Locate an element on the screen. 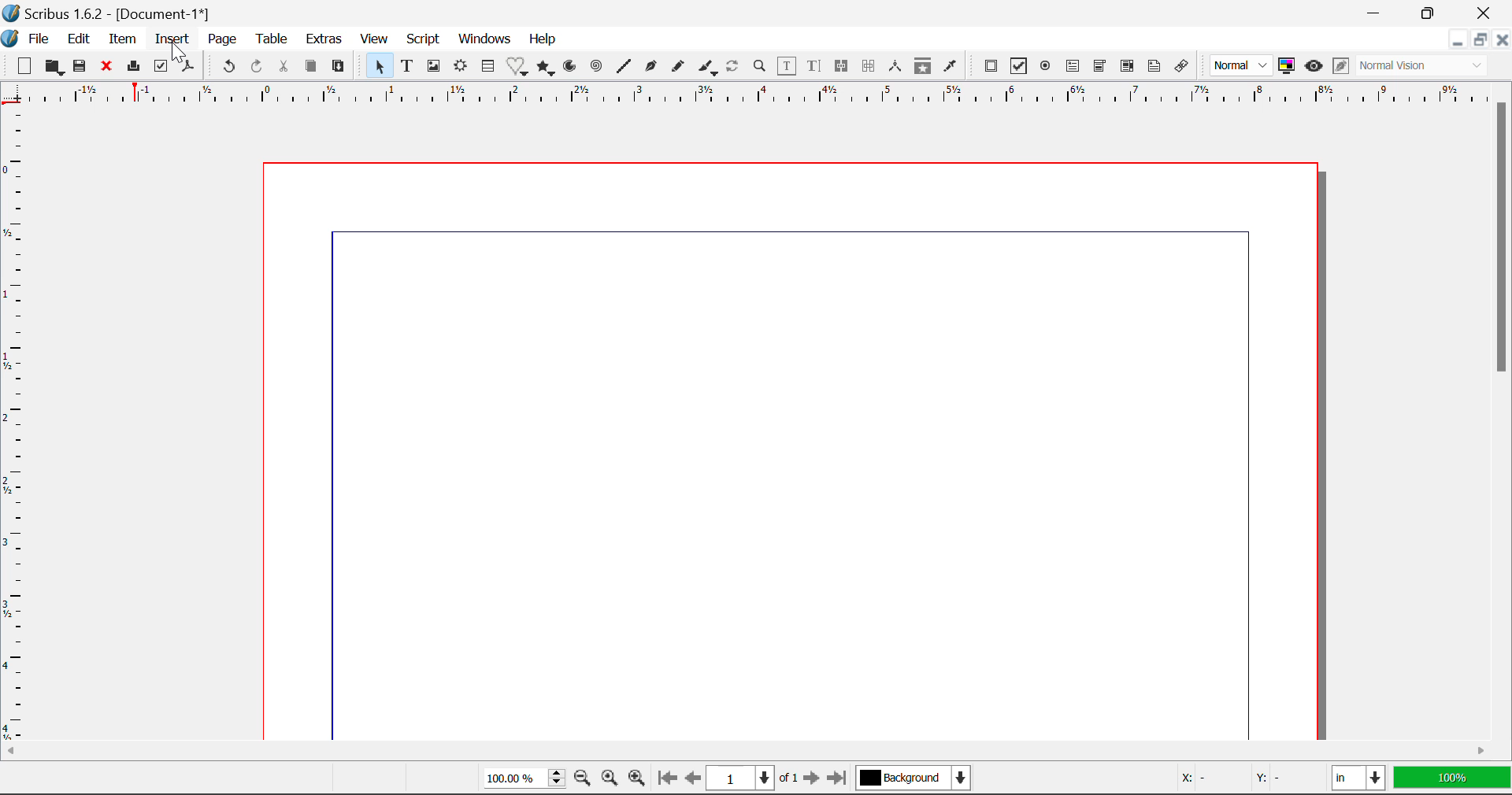 The image size is (1512, 795). Edit is located at coordinates (79, 39).